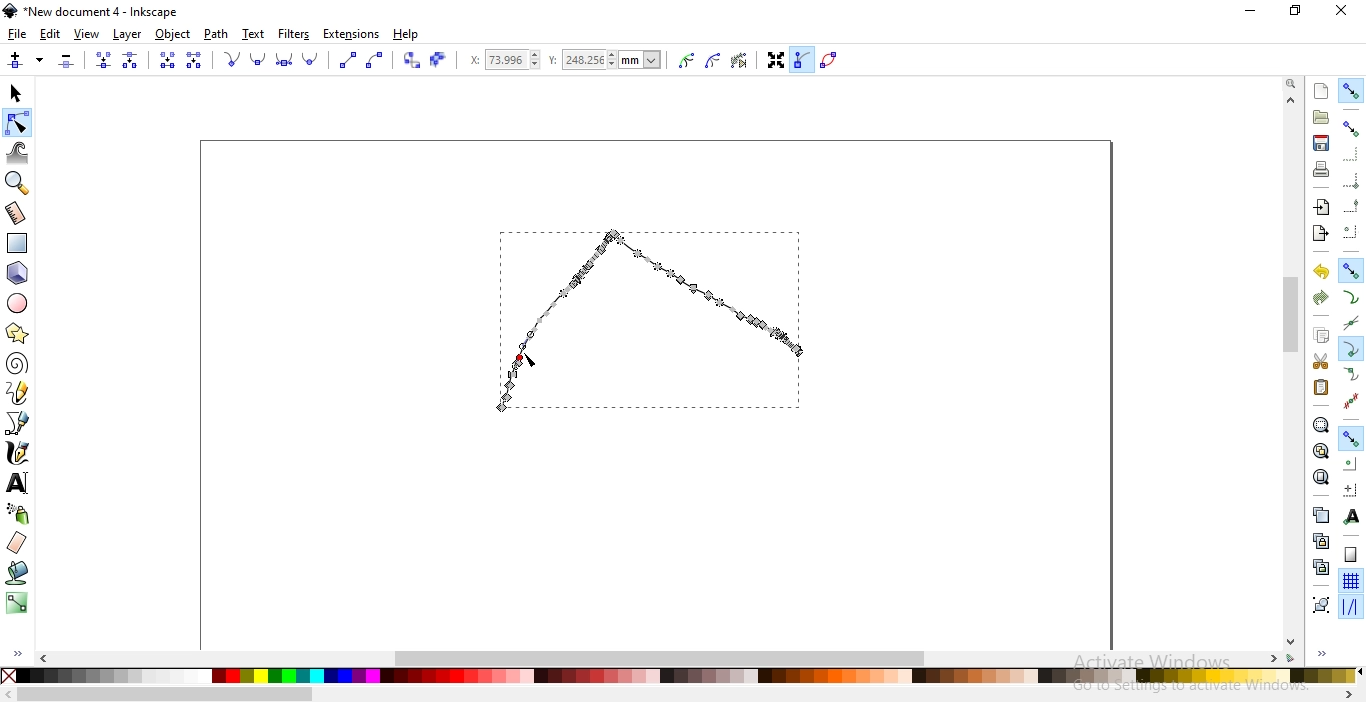 Image resolution: width=1366 pixels, height=702 pixels. What do you see at coordinates (17, 34) in the screenshot?
I see `file` at bounding box center [17, 34].